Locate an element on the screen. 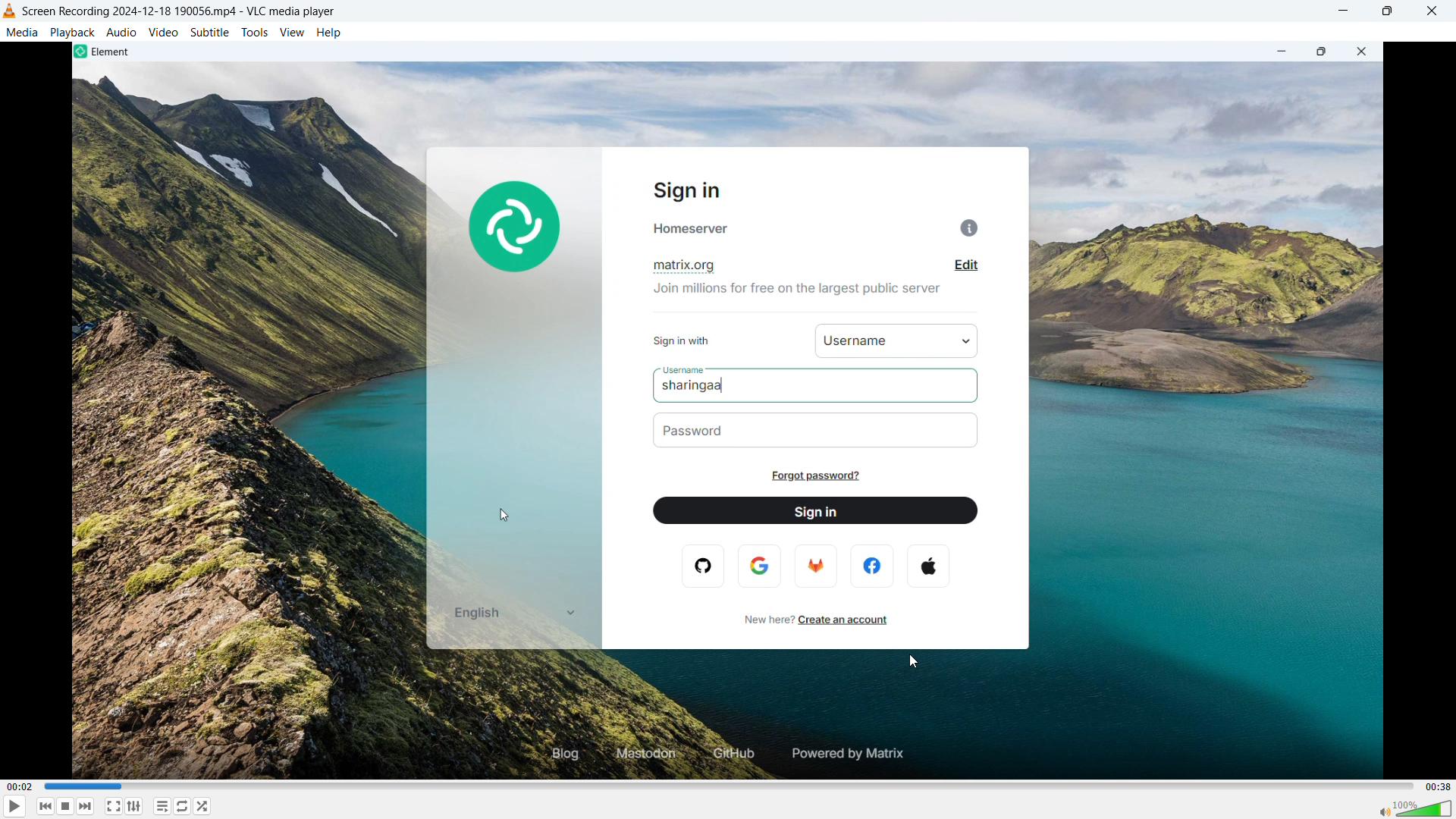 The width and height of the screenshot is (1456, 819). Play  is located at coordinates (14, 806).